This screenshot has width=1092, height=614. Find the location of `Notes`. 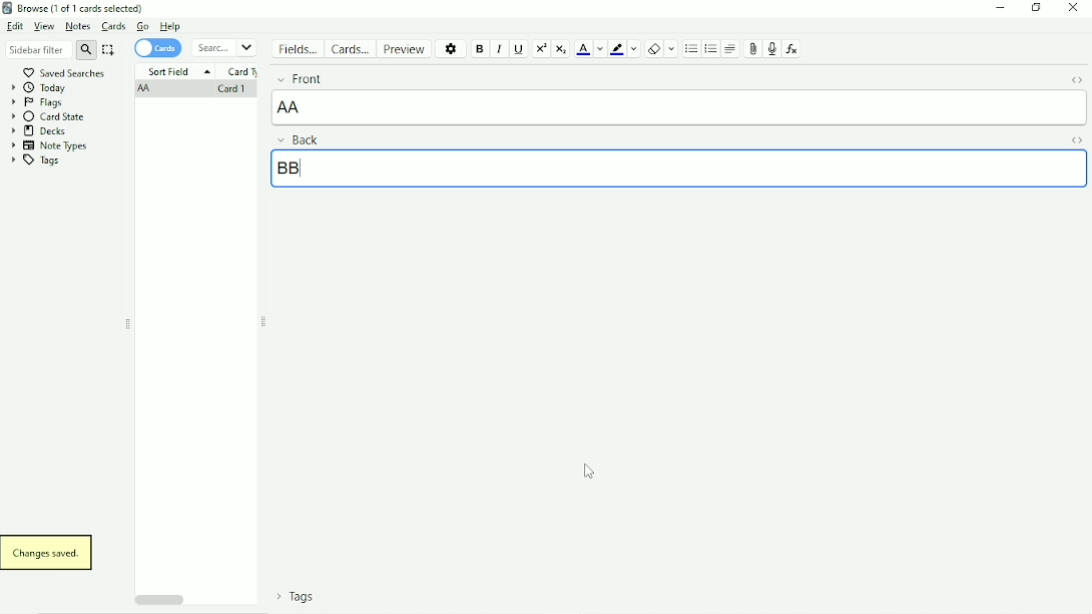

Notes is located at coordinates (78, 26).